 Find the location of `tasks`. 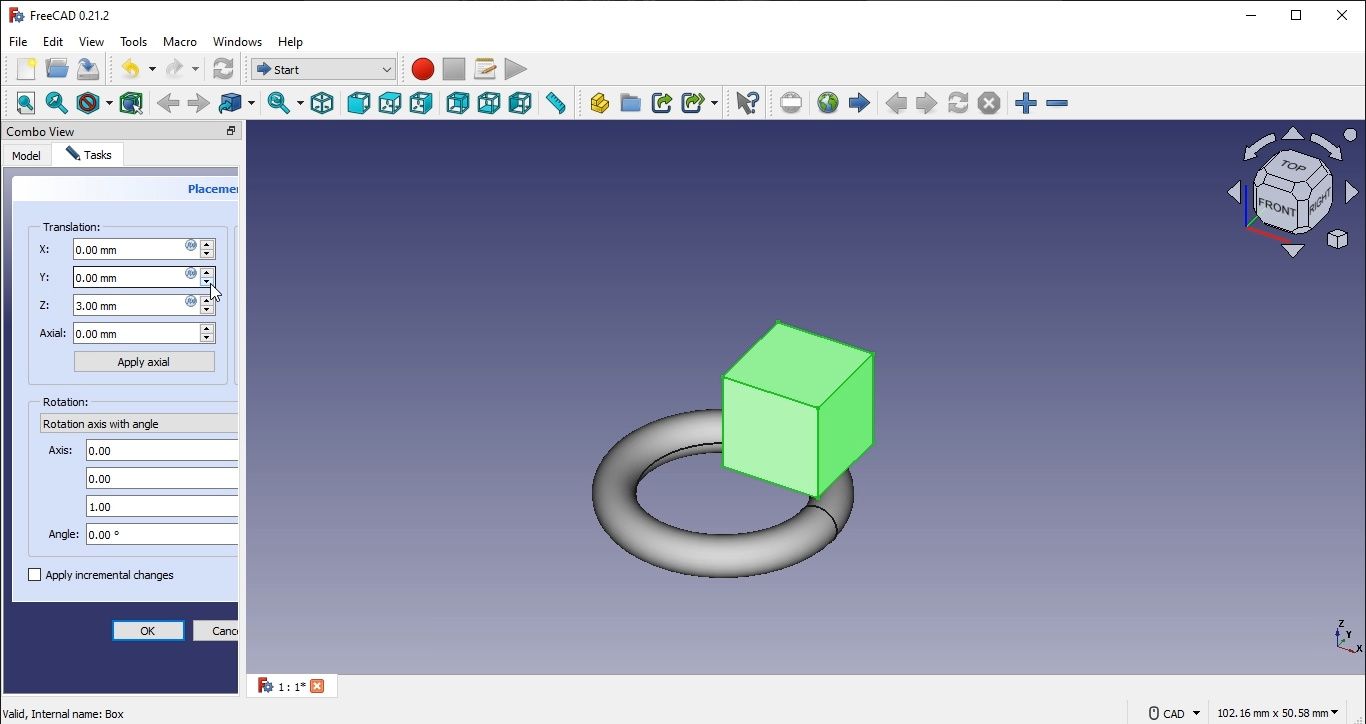

tasks is located at coordinates (88, 154).